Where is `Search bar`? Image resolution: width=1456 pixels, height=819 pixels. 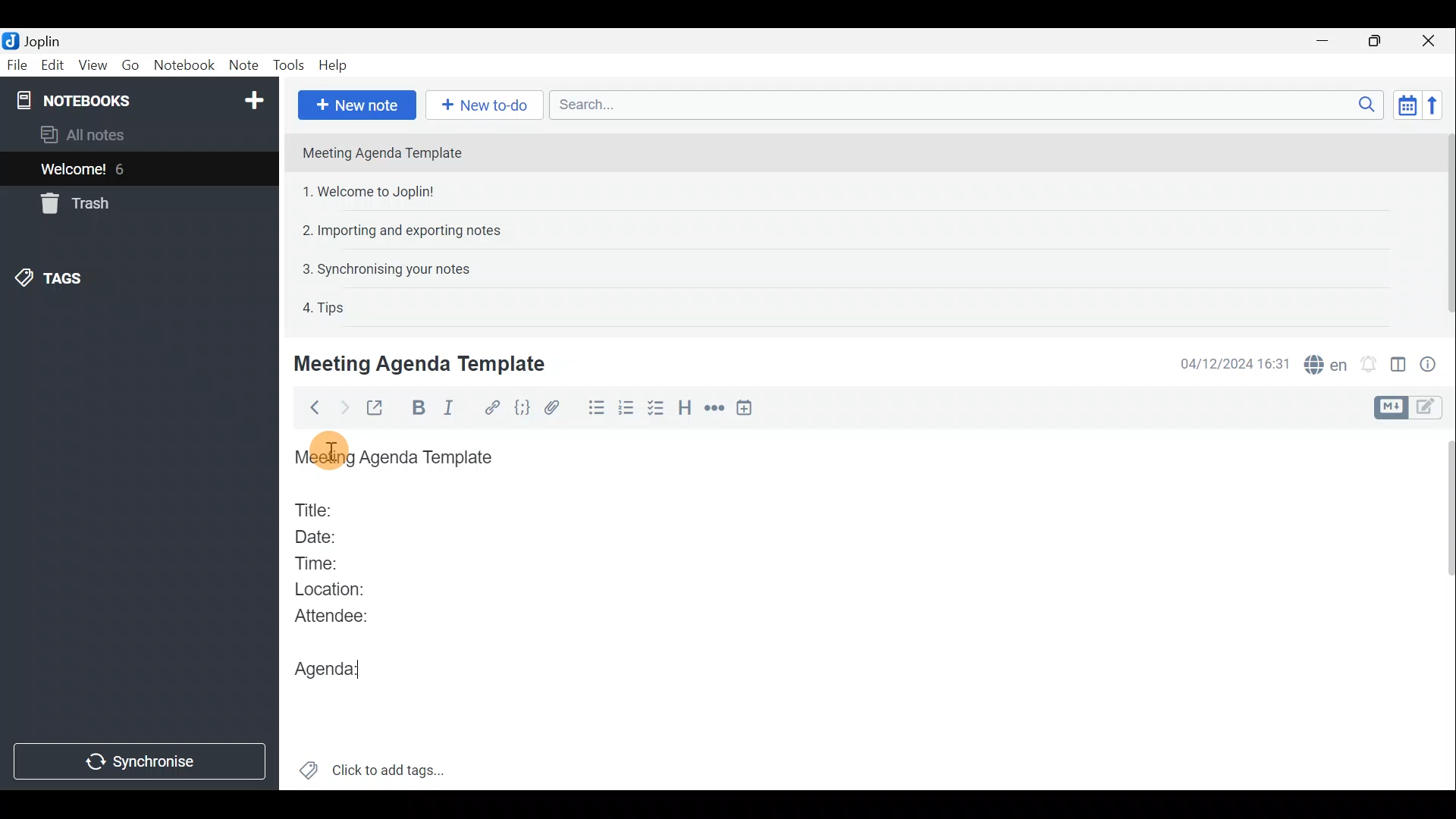
Search bar is located at coordinates (962, 104).